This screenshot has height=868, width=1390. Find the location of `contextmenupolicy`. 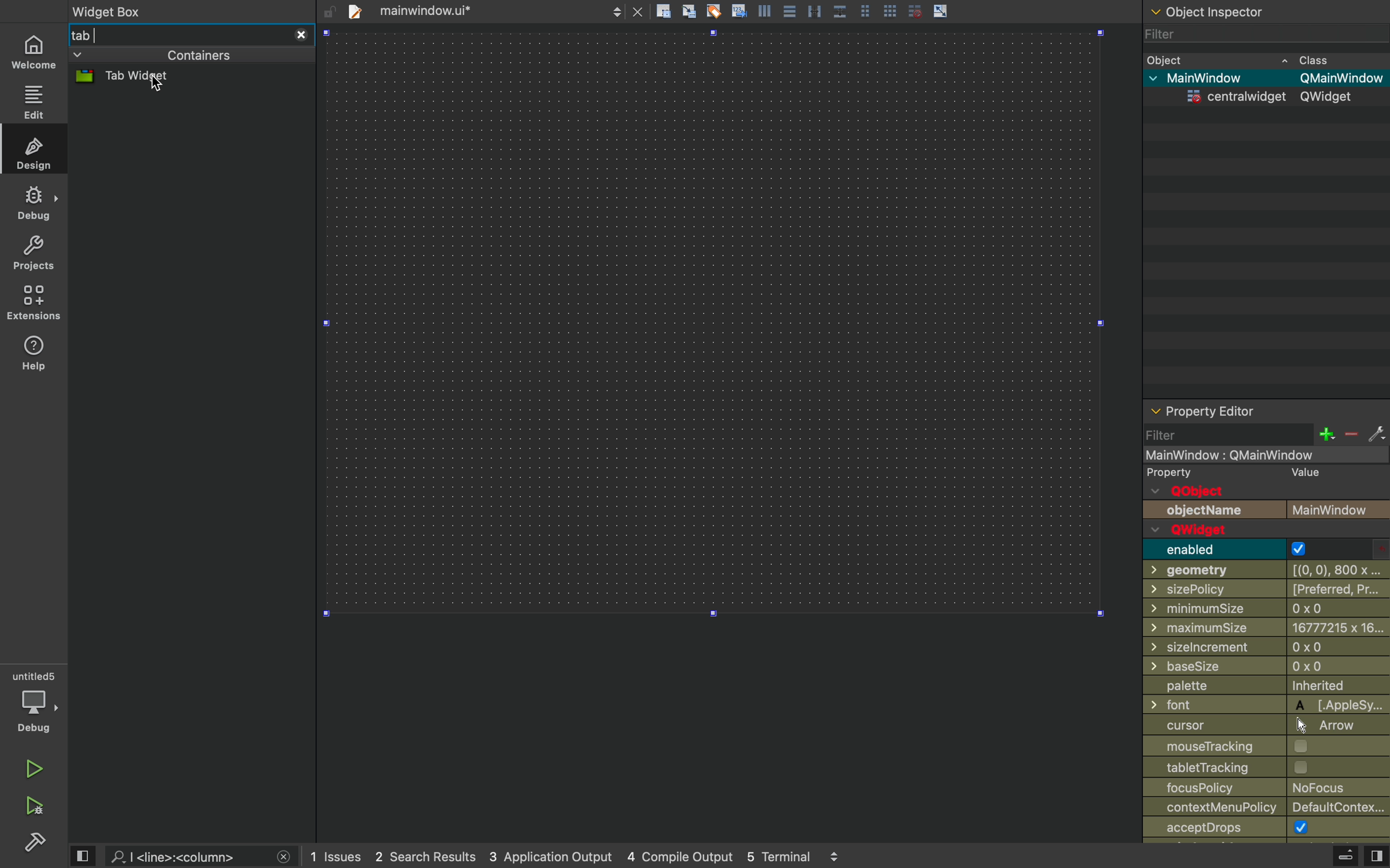

contextmenupolicy is located at coordinates (1270, 809).